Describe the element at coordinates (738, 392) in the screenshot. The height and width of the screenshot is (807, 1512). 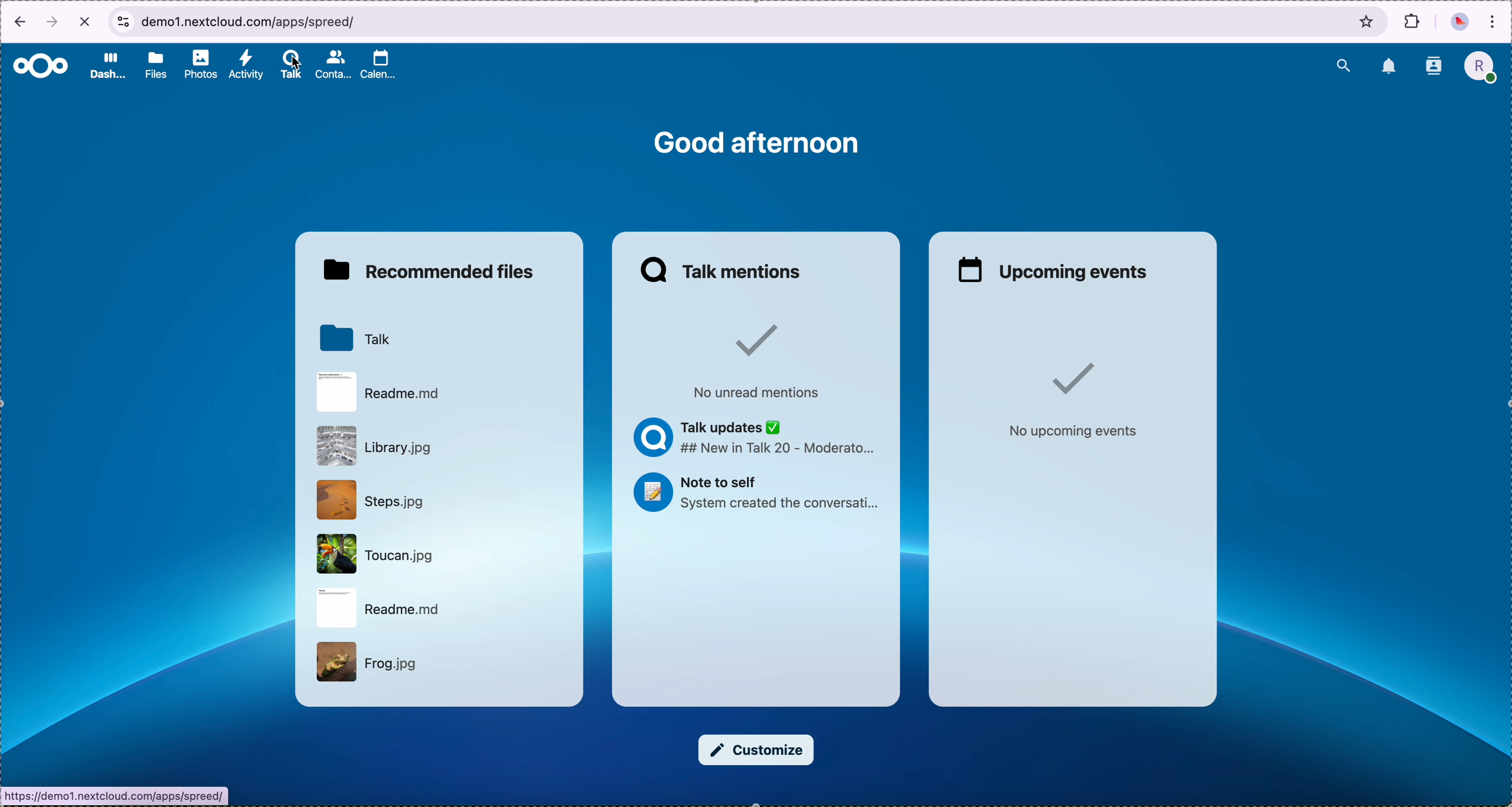
I see `No unread mentions` at that location.